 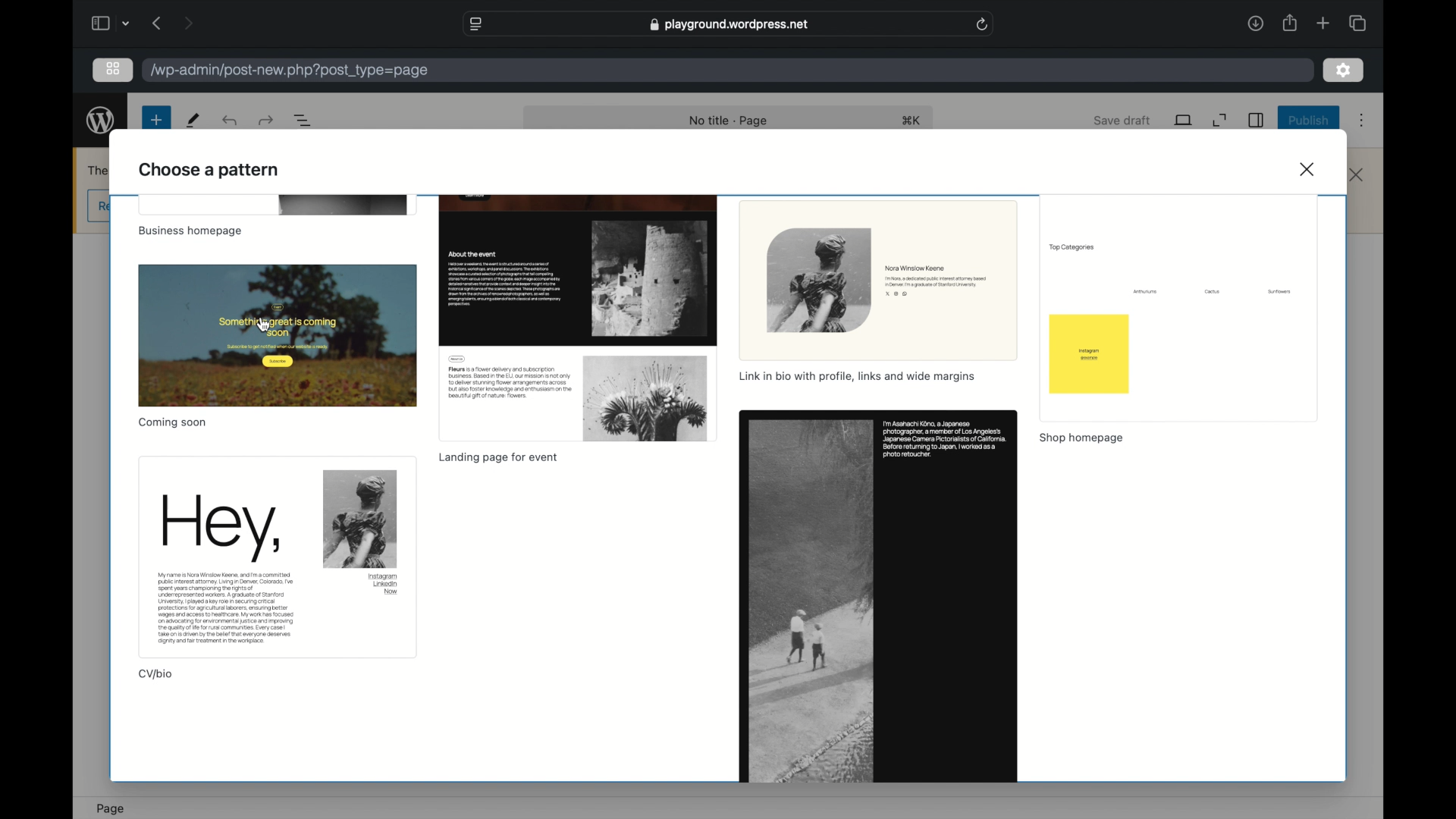 What do you see at coordinates (1357, 23) in the screenshot?
I see `show tab overview` at bounding box center [1357, 23].